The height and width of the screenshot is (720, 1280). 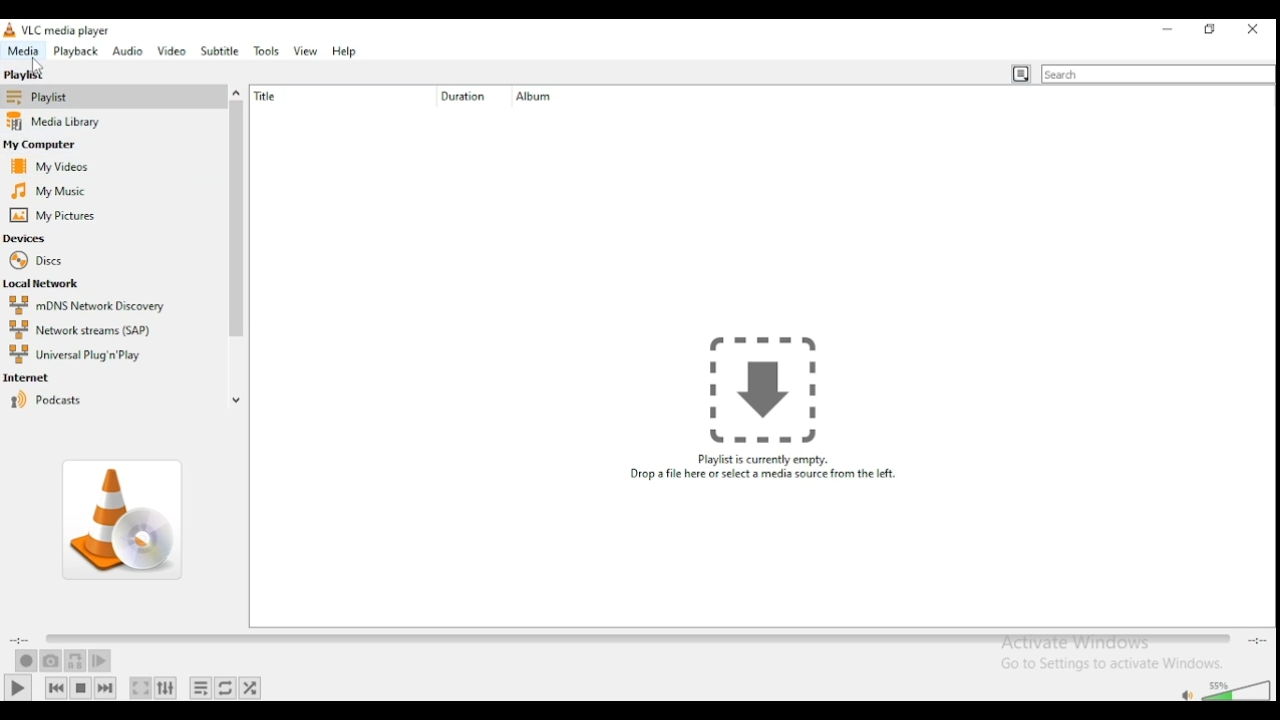 I want to click on restore, so click(x=1209, y=31).